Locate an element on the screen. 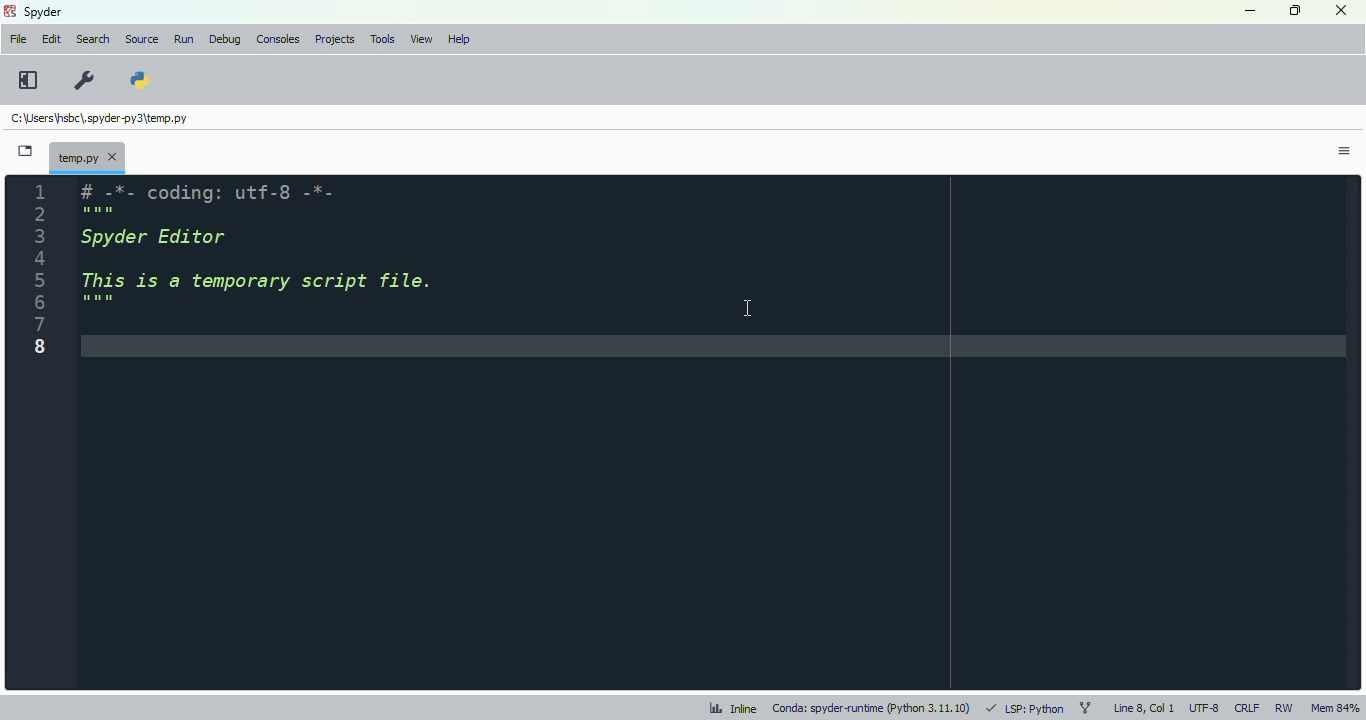 This screenshot has height=720, width=1366. file is located at coordinates (18, 39).